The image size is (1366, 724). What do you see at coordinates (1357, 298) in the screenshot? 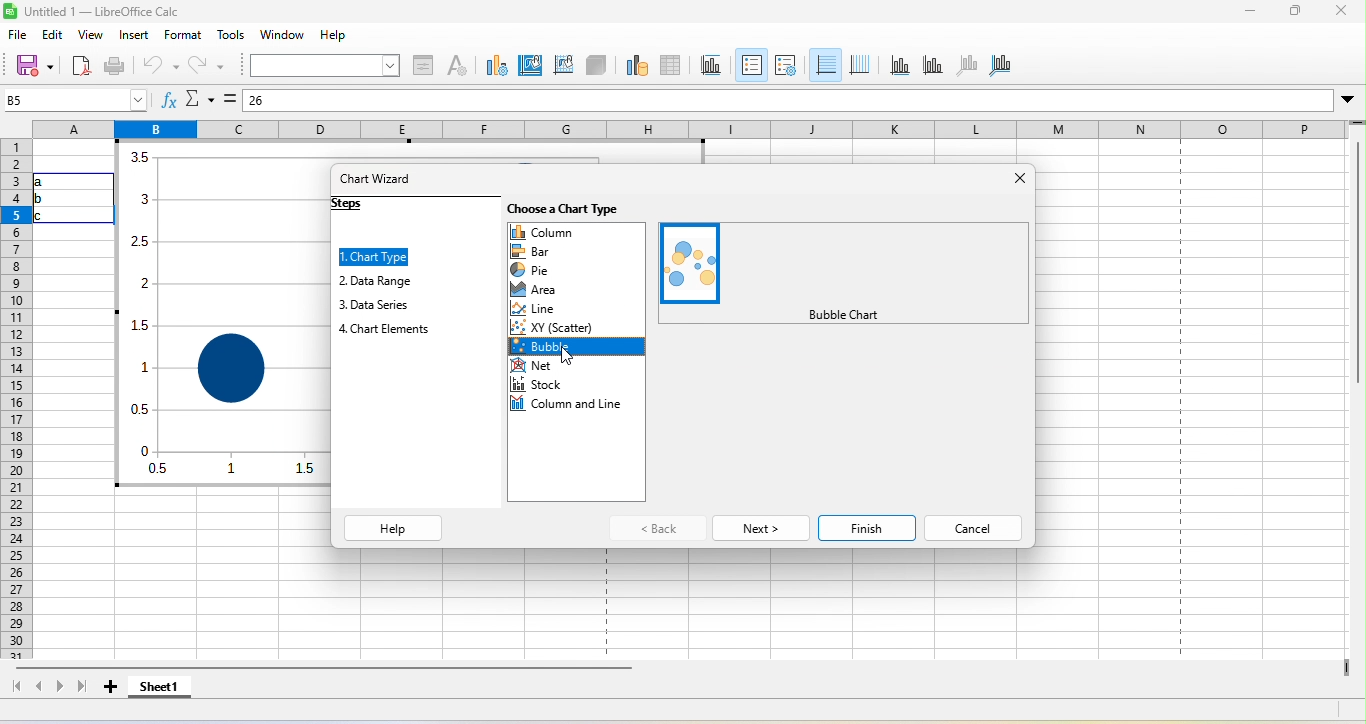
I see `vertical scroll bar` at bounding box center [1357, 298].